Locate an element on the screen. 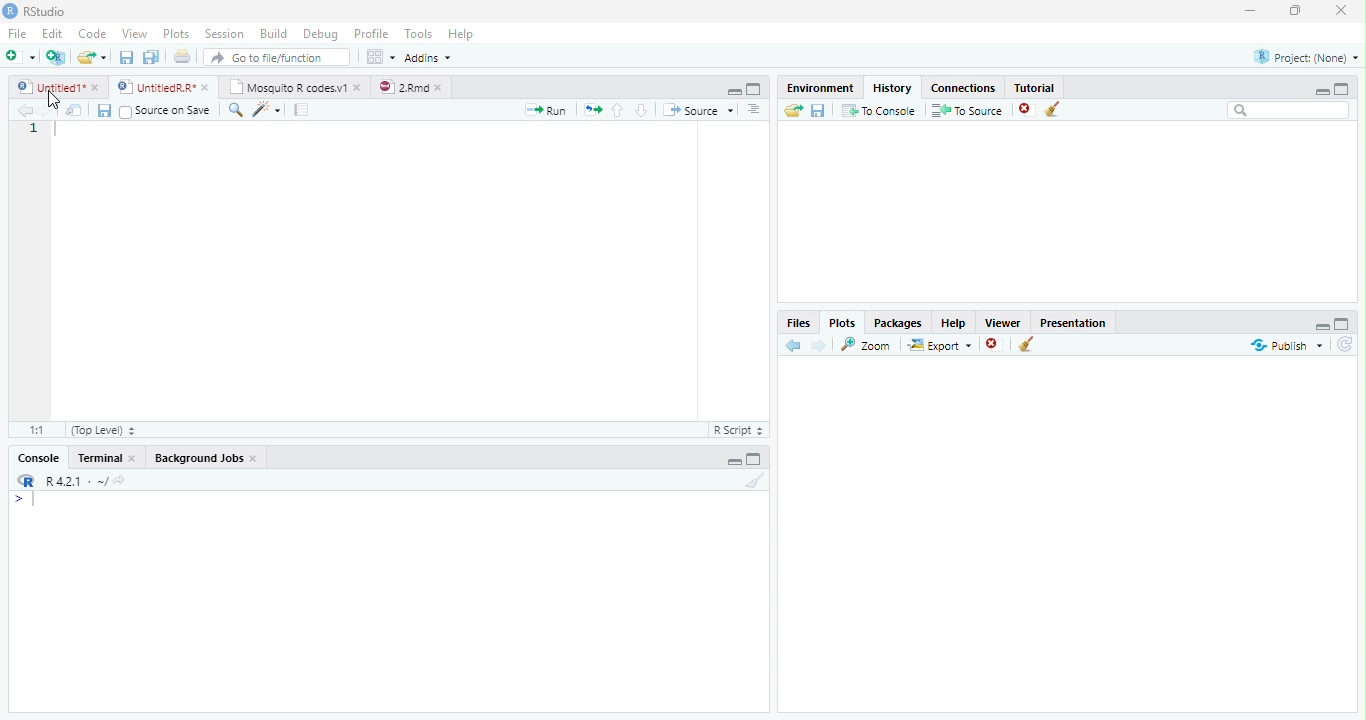 The height and width of the screenshot is (720, 1366). | Mosquito R codesv1 is located at coordinates (294, 87).